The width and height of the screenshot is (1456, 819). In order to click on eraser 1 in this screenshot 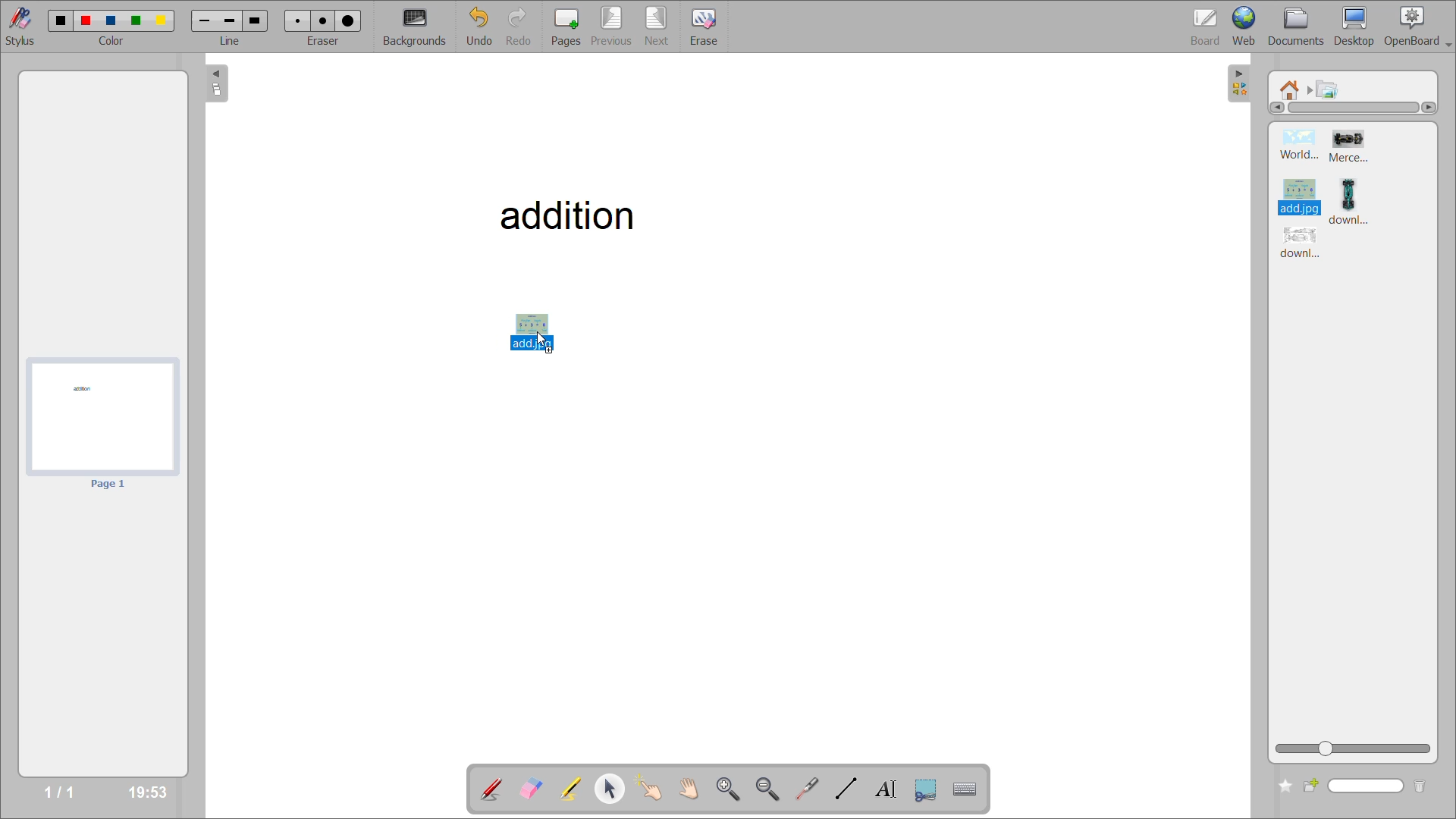, I will do `click(299, 20)`.